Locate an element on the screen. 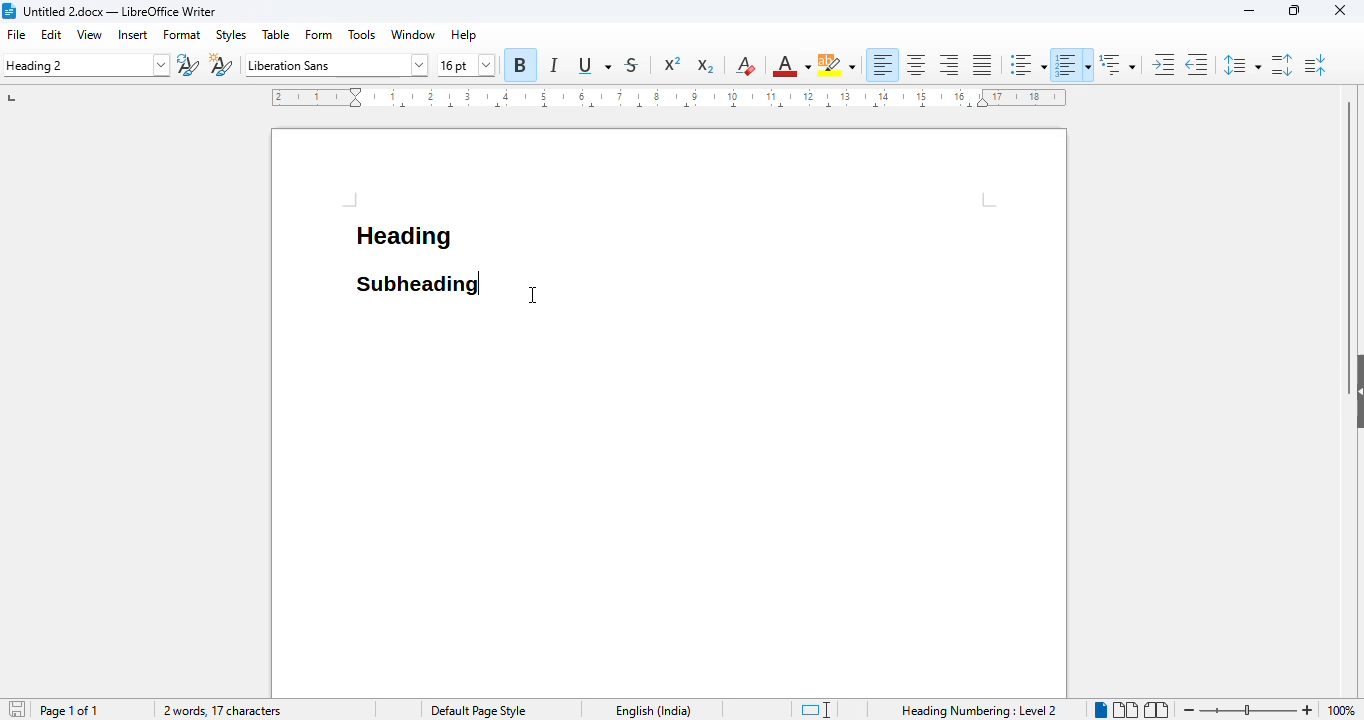 This screenshot has width=1364, height=720. superscript is located at coordinates (673, 64).